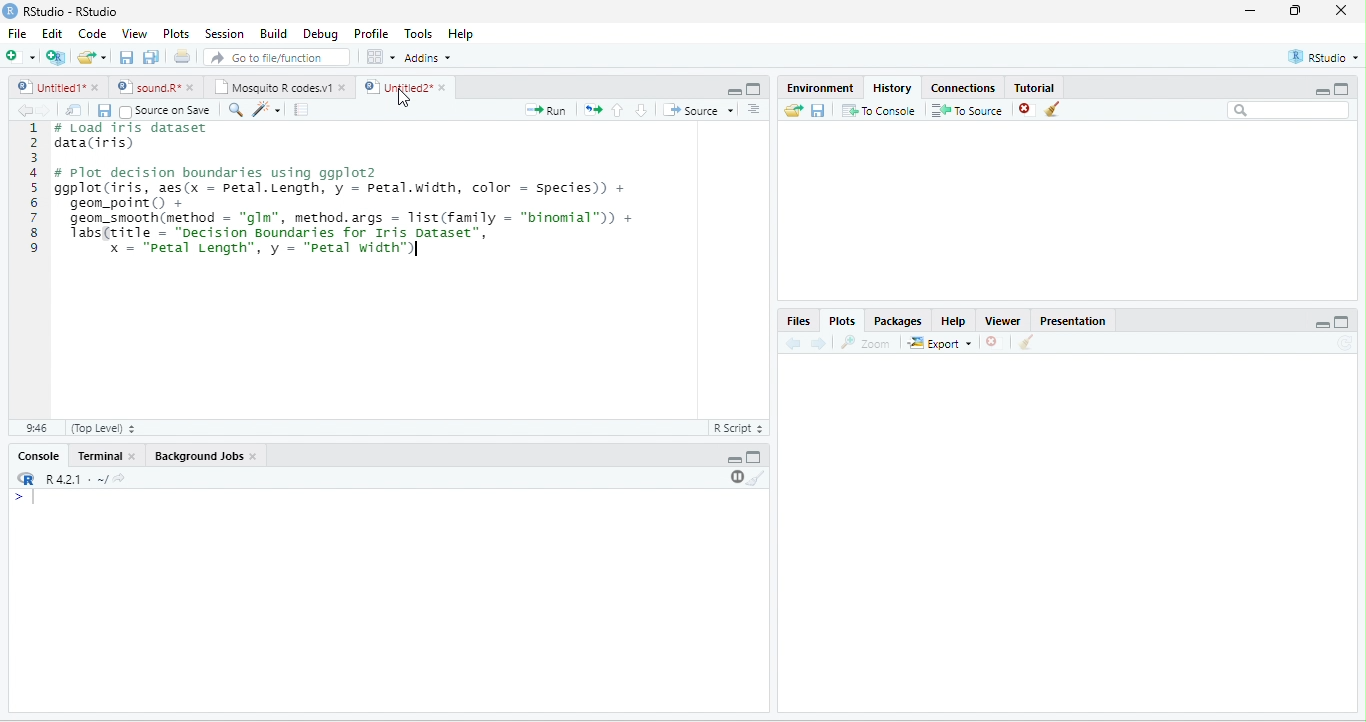 This screenshot has width=1366, height=722. I want to click on RStudio, so click(1324, 57).